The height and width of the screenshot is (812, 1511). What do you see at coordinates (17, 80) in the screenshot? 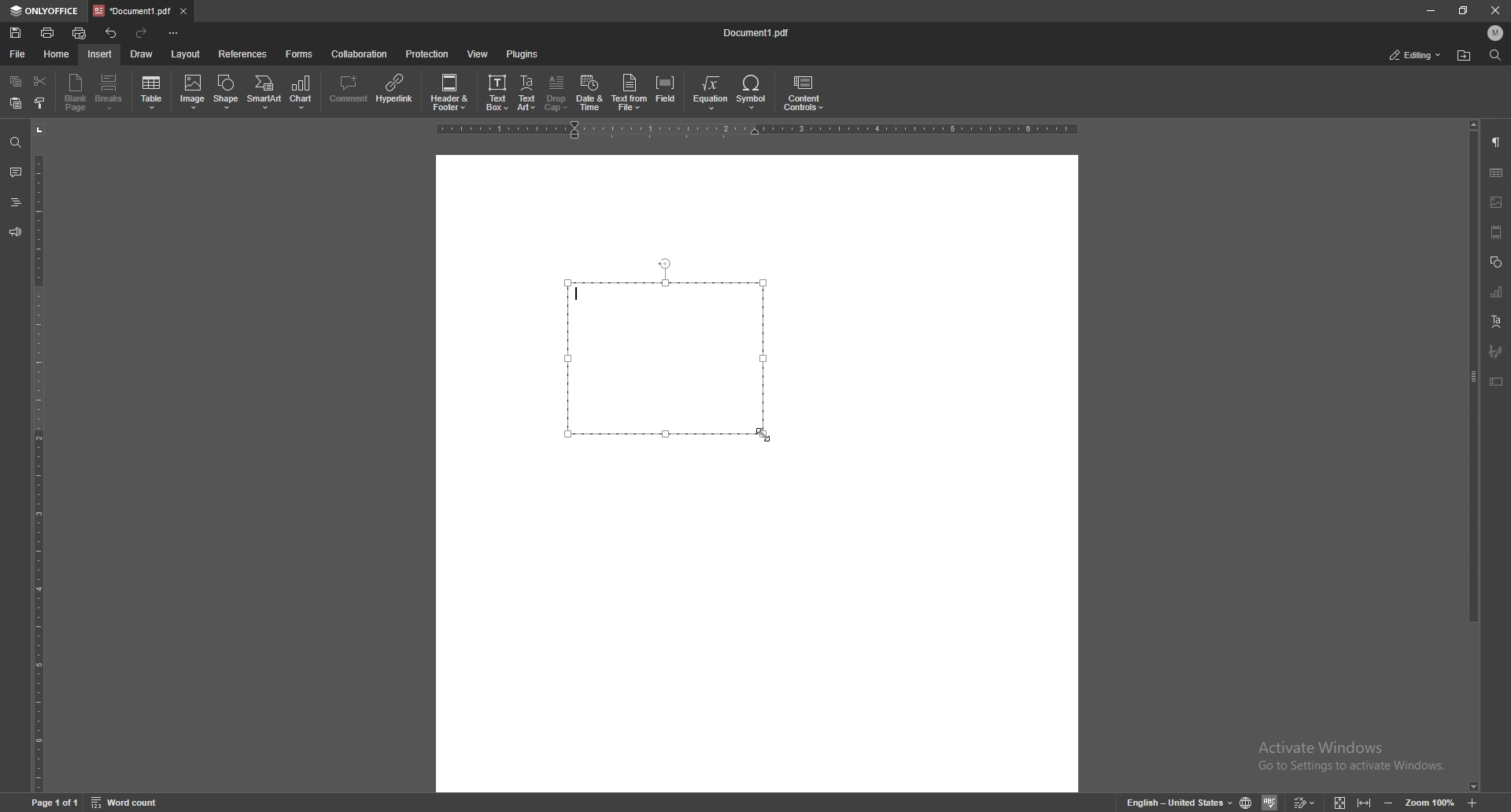
I see `copy` at bounding box center [17, 80].